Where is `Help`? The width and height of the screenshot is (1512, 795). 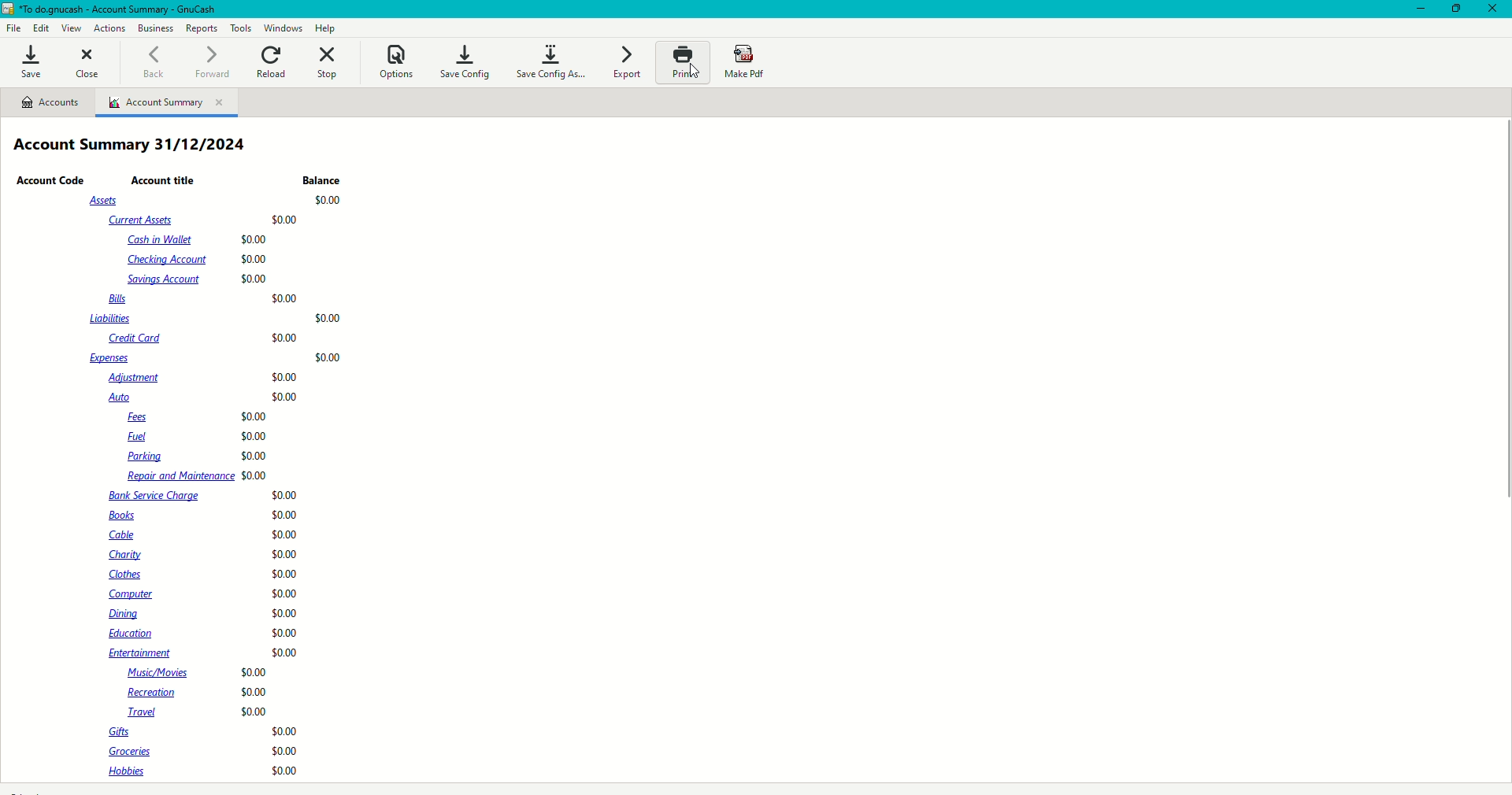 Help is located at coordinates (328, 28).